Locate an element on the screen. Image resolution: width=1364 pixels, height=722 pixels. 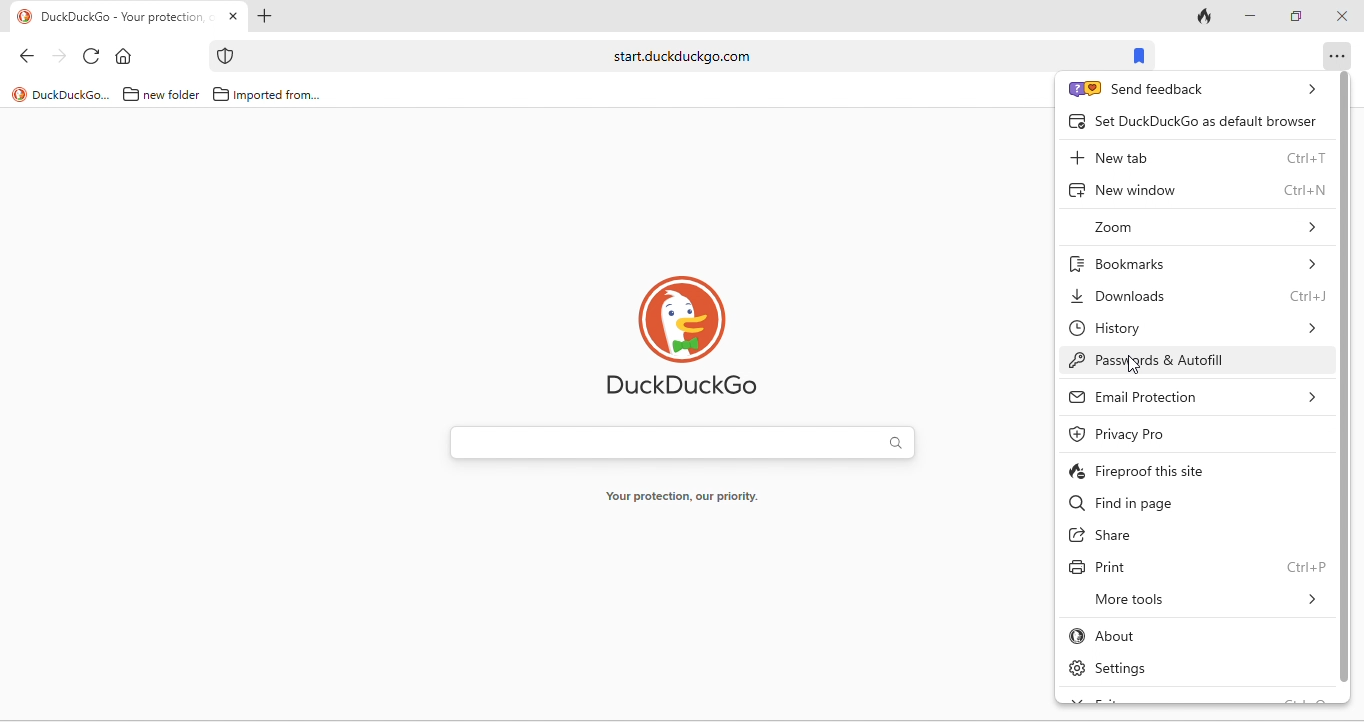
duck duck go logo is located at coordinates (683, 333).